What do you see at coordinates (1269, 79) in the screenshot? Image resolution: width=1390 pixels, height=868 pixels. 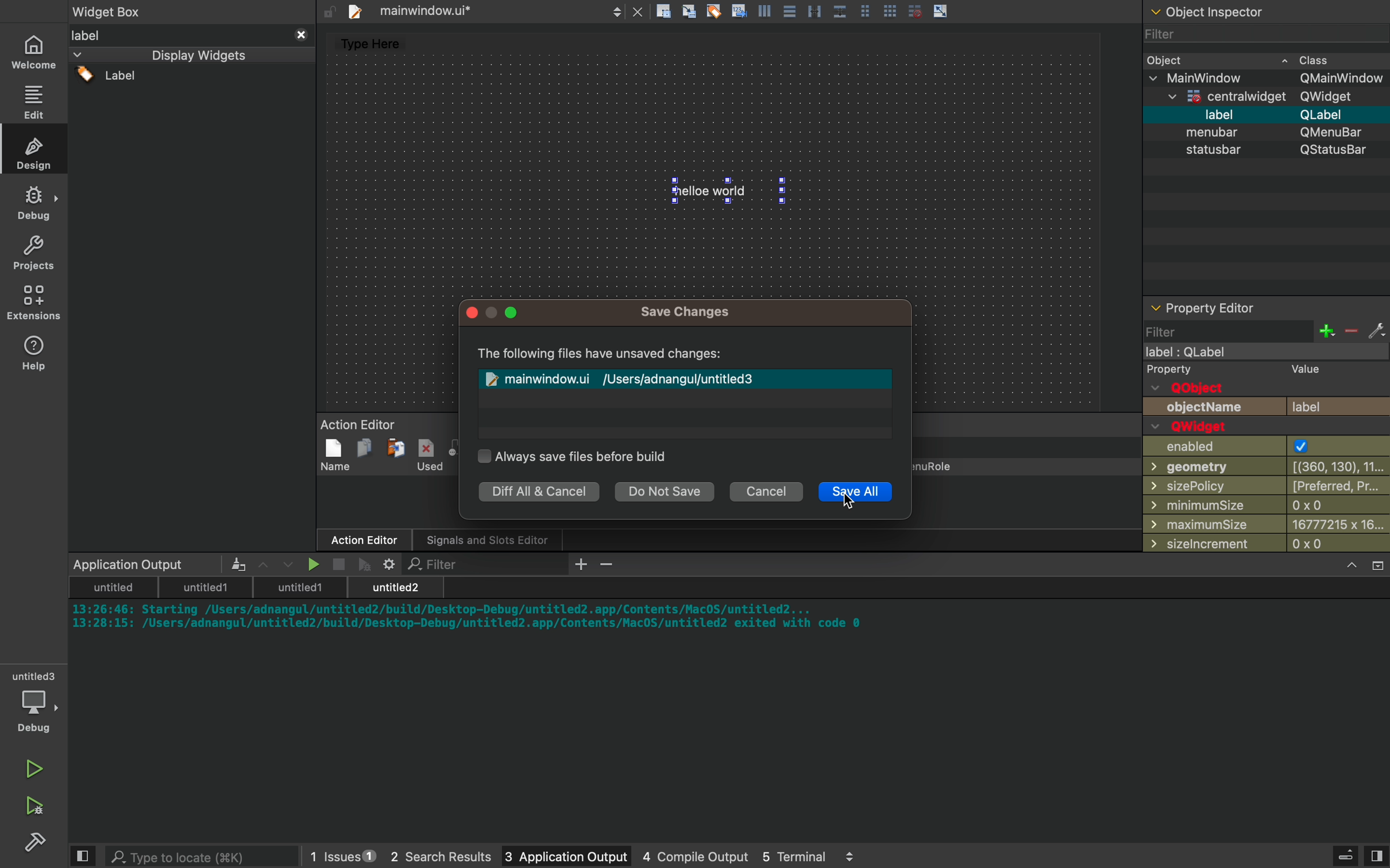 I see `` at bounding box center [1269, 79].